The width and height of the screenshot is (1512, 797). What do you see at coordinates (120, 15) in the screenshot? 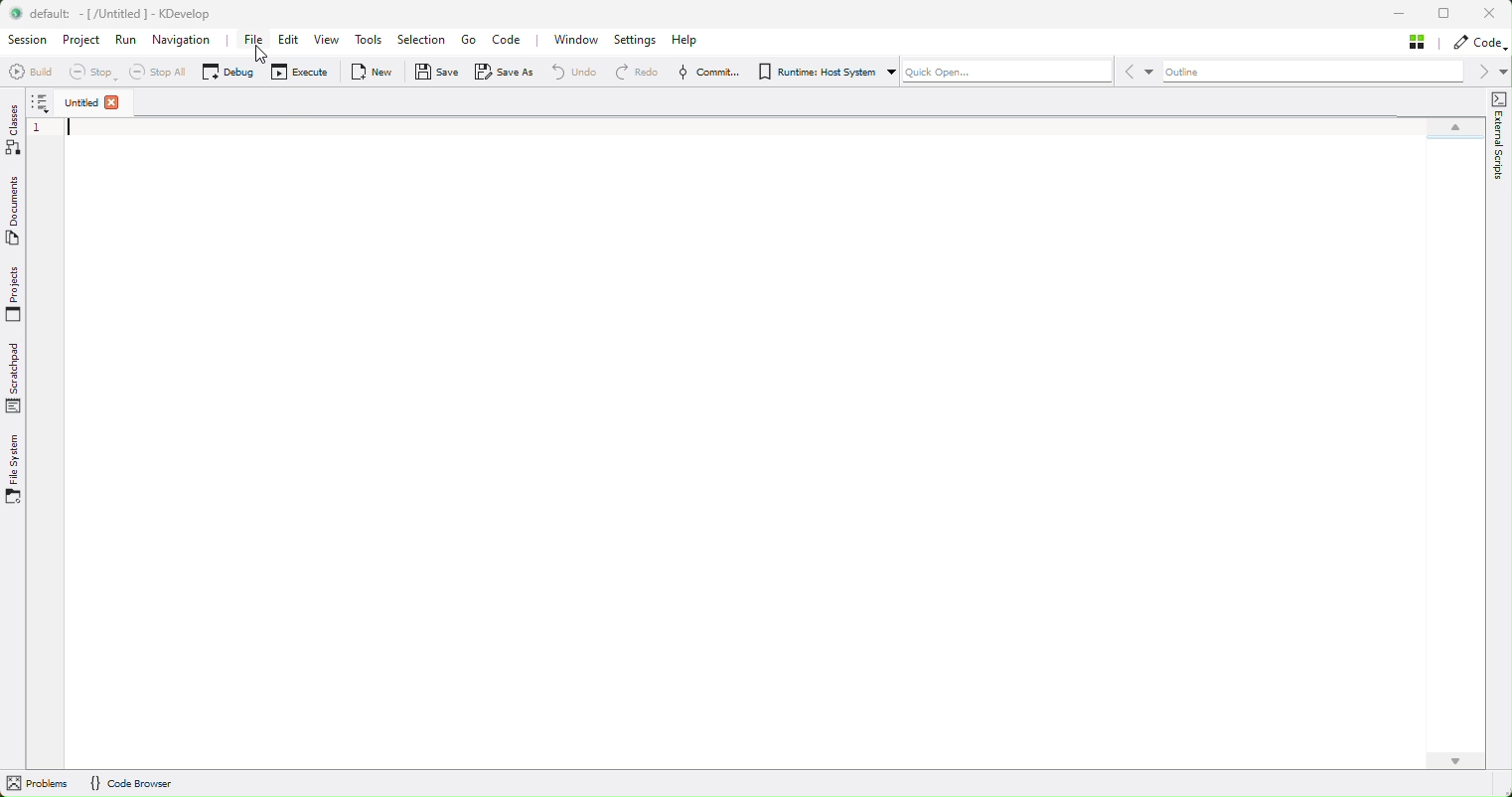
I see `default: -[/Untitled ] - KDevelop` at bounding box center [120, 15].